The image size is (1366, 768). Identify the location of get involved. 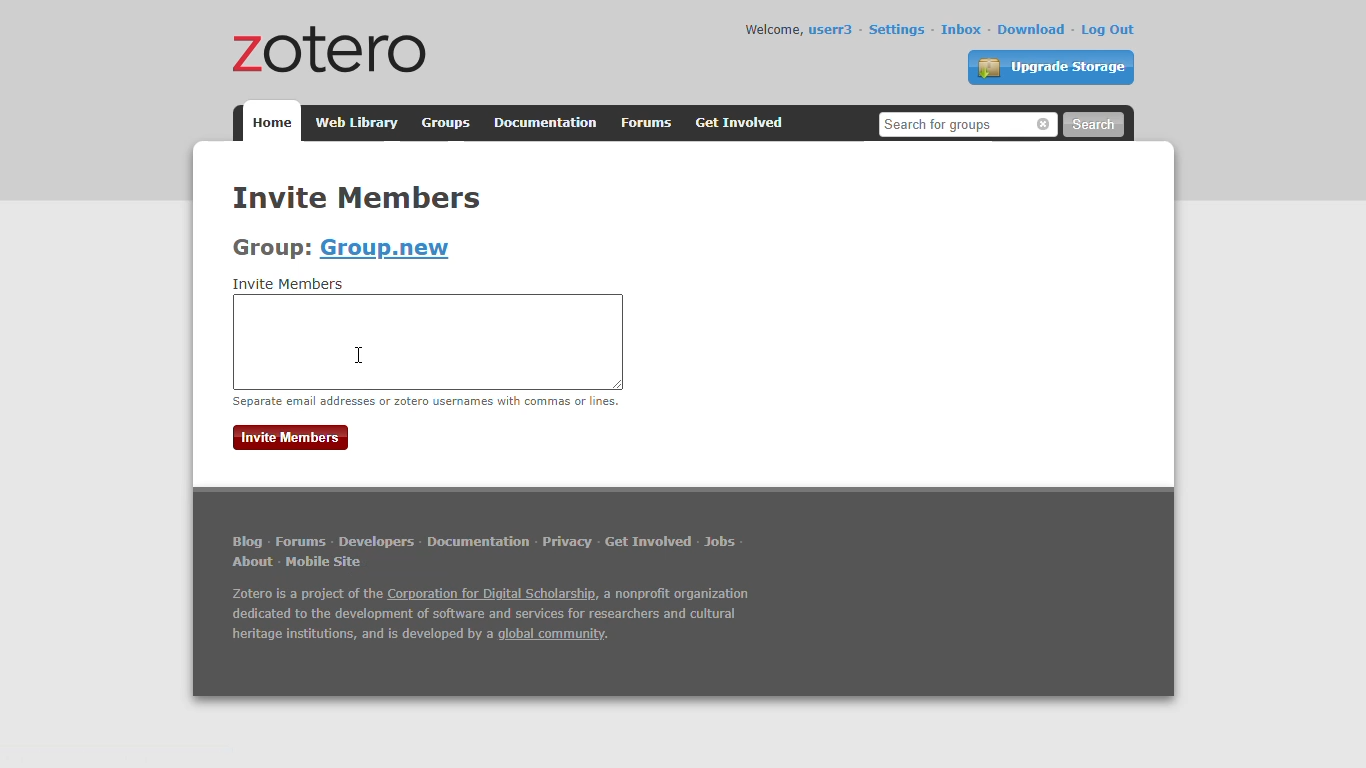
(739, 123).